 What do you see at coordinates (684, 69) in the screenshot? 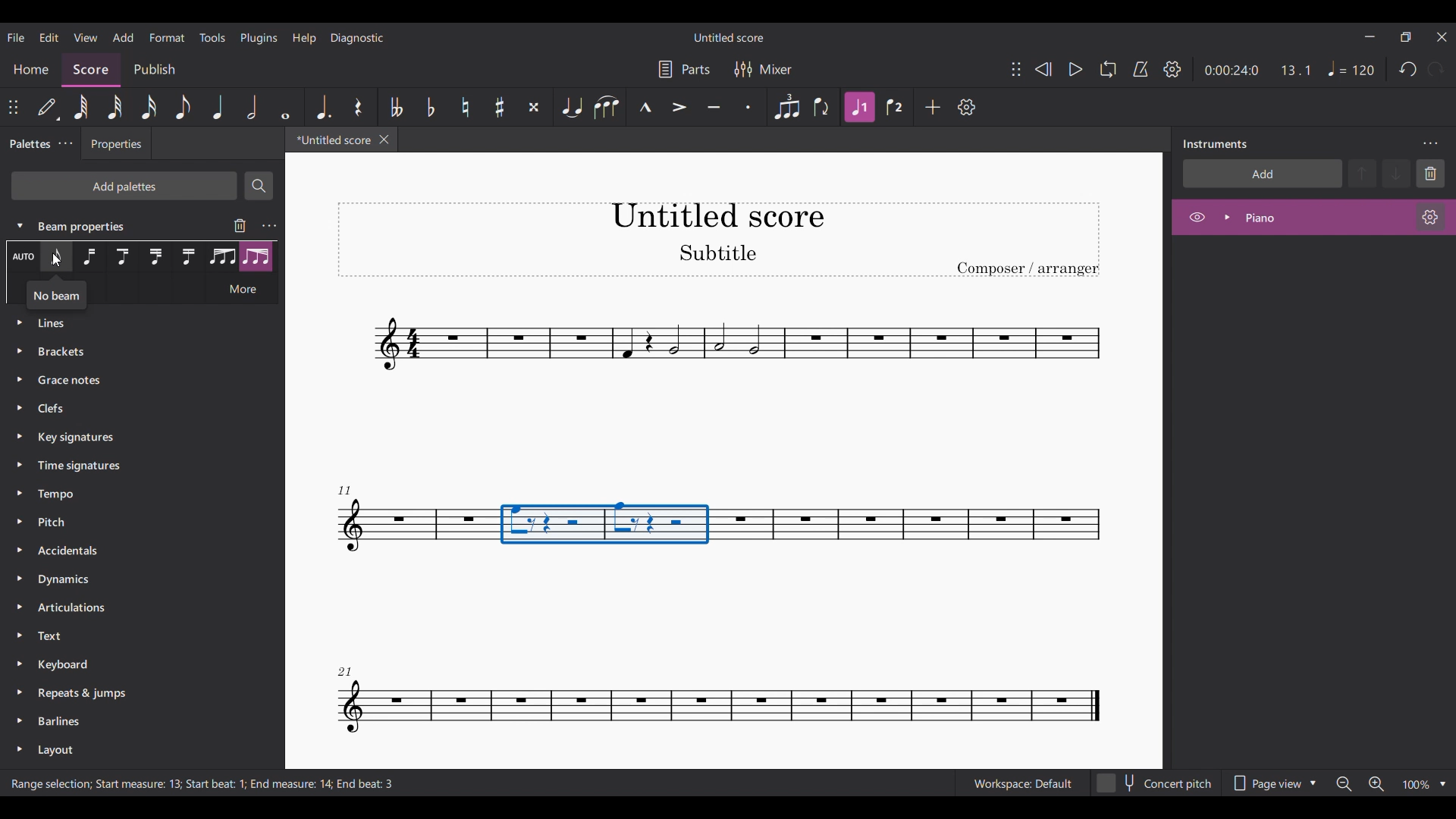
I see `Manage parts` at bounding box center [684, 69].